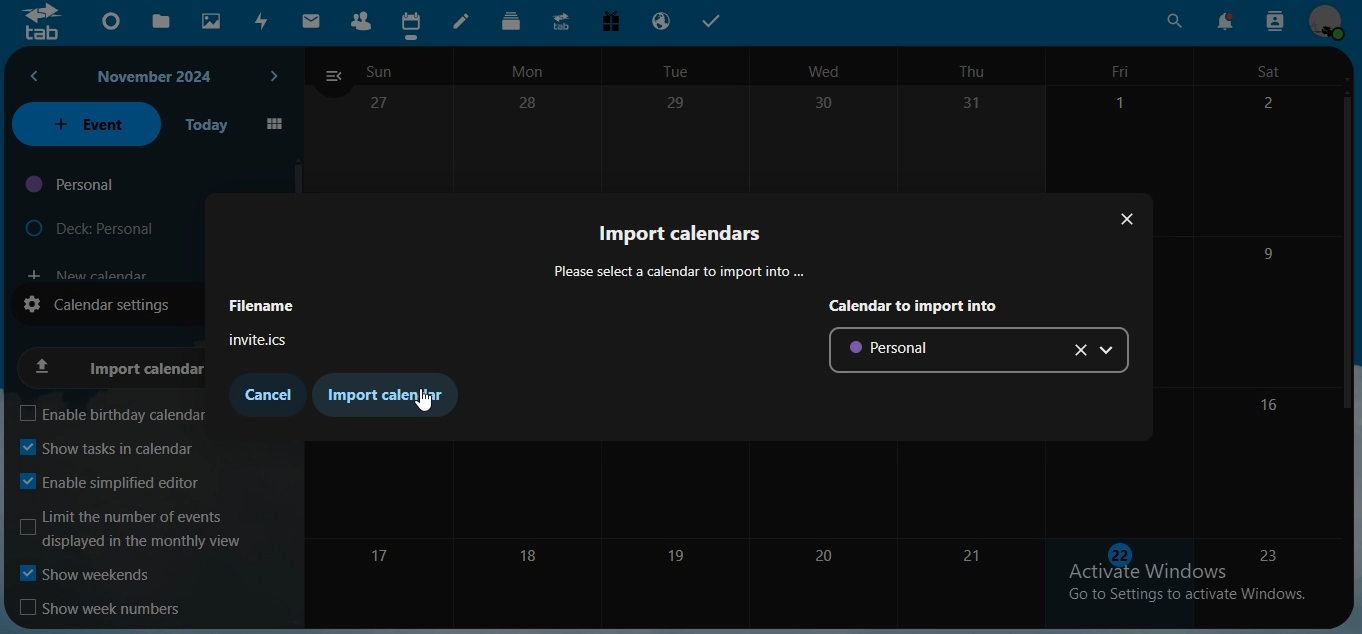 This screenshot has width=1362, height=634. What do you see at coordinates (72, 185) in the screenshot?
I see `personal` at bounding box center [72, 185].